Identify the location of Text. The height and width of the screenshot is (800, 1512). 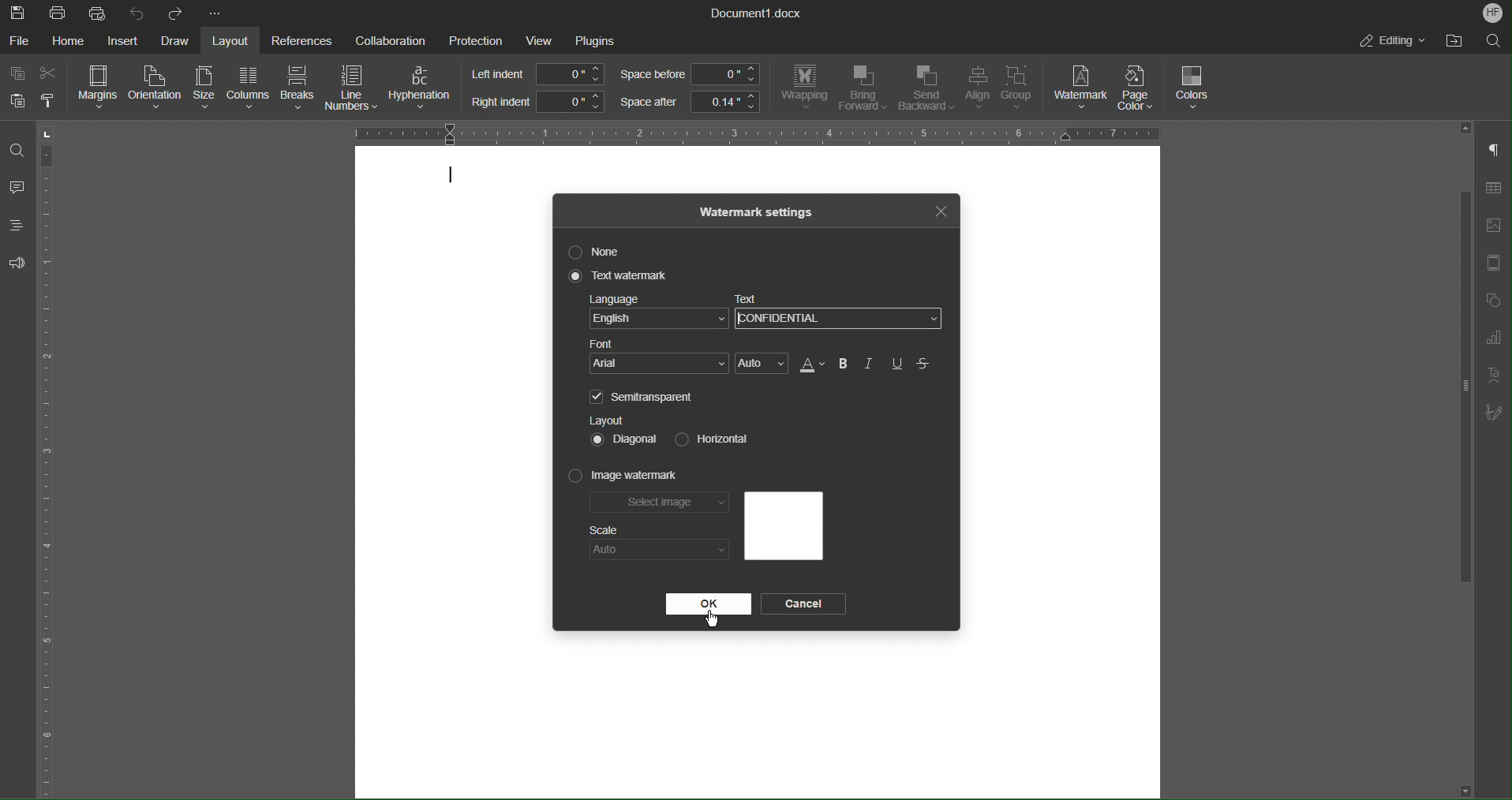
(751, 300).